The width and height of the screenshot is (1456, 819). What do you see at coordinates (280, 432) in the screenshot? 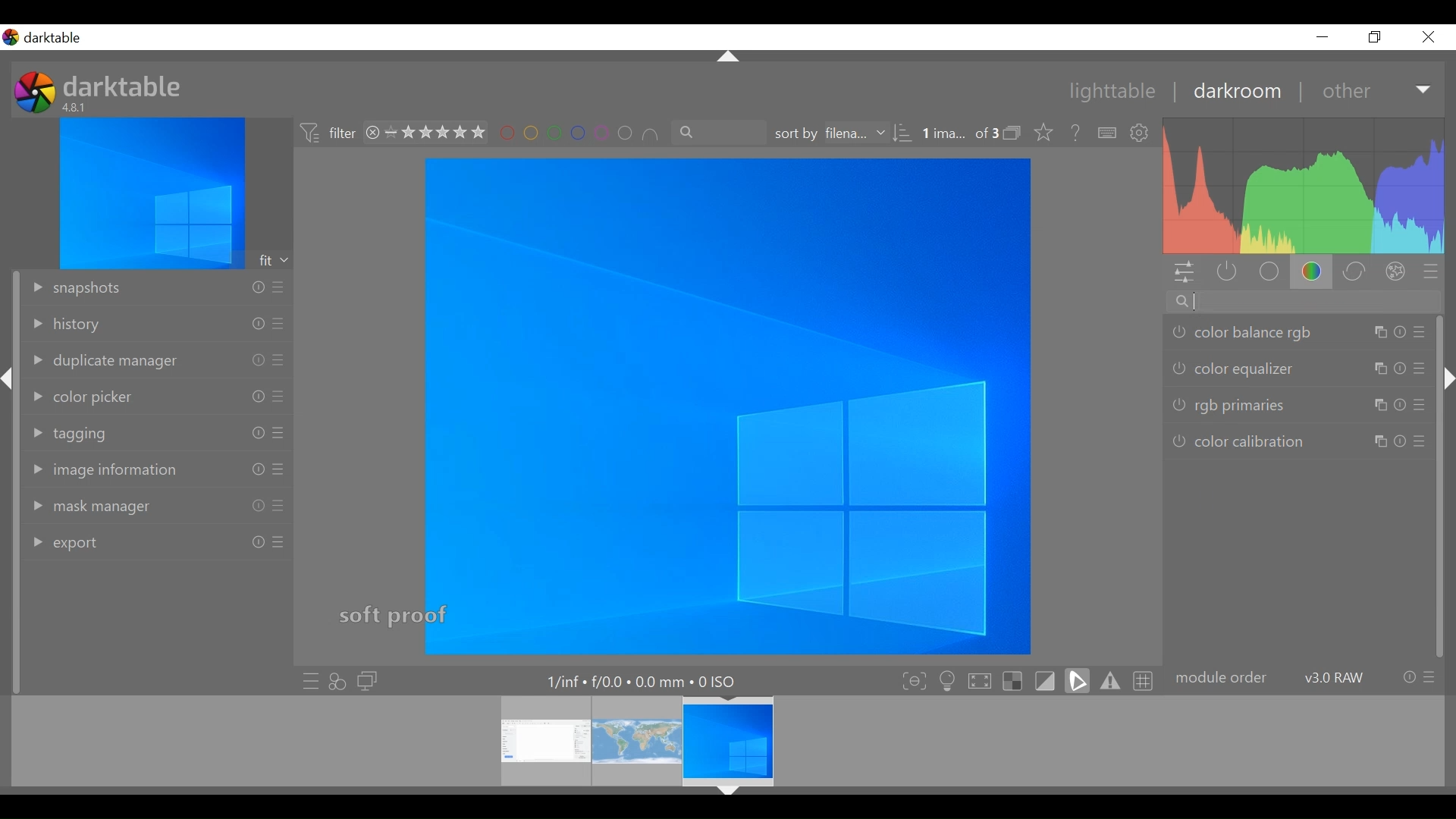
I see `presets` at bounding box center [280, 432].